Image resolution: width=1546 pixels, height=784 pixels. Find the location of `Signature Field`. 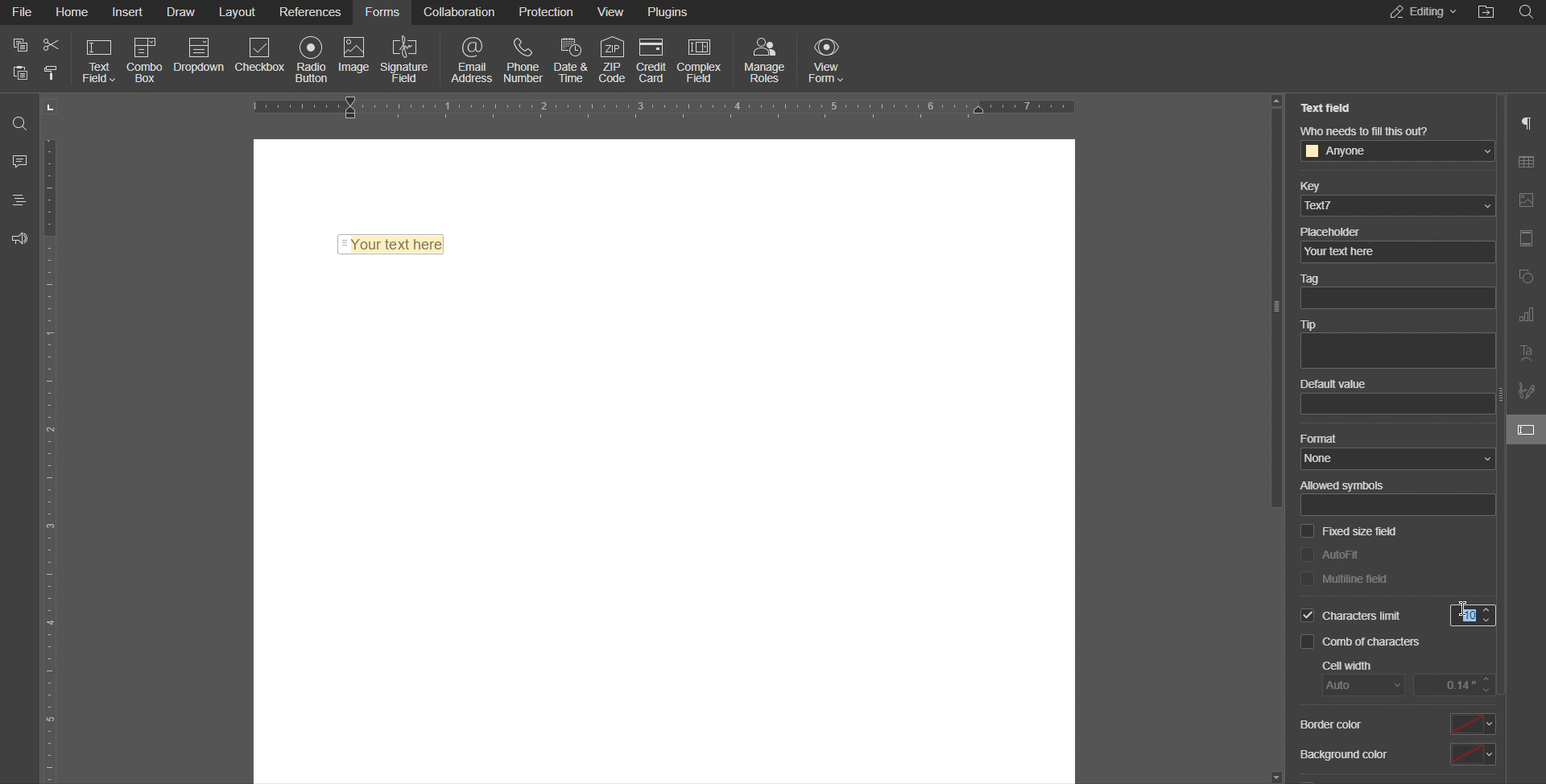

Signature Field is located at coordinates (410, 58).